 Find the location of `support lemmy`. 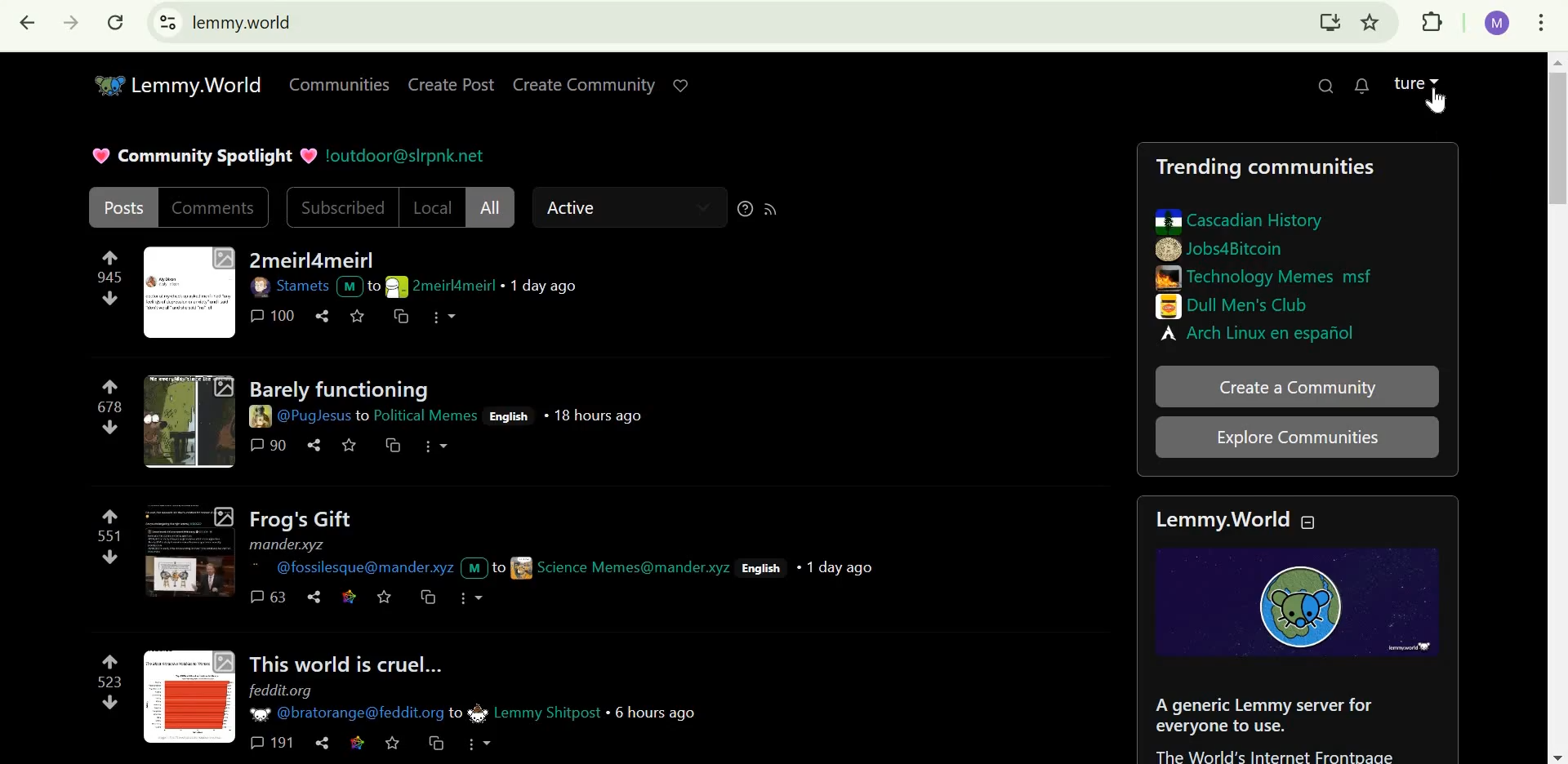

support lemmy is located at coordinates (685, 83).